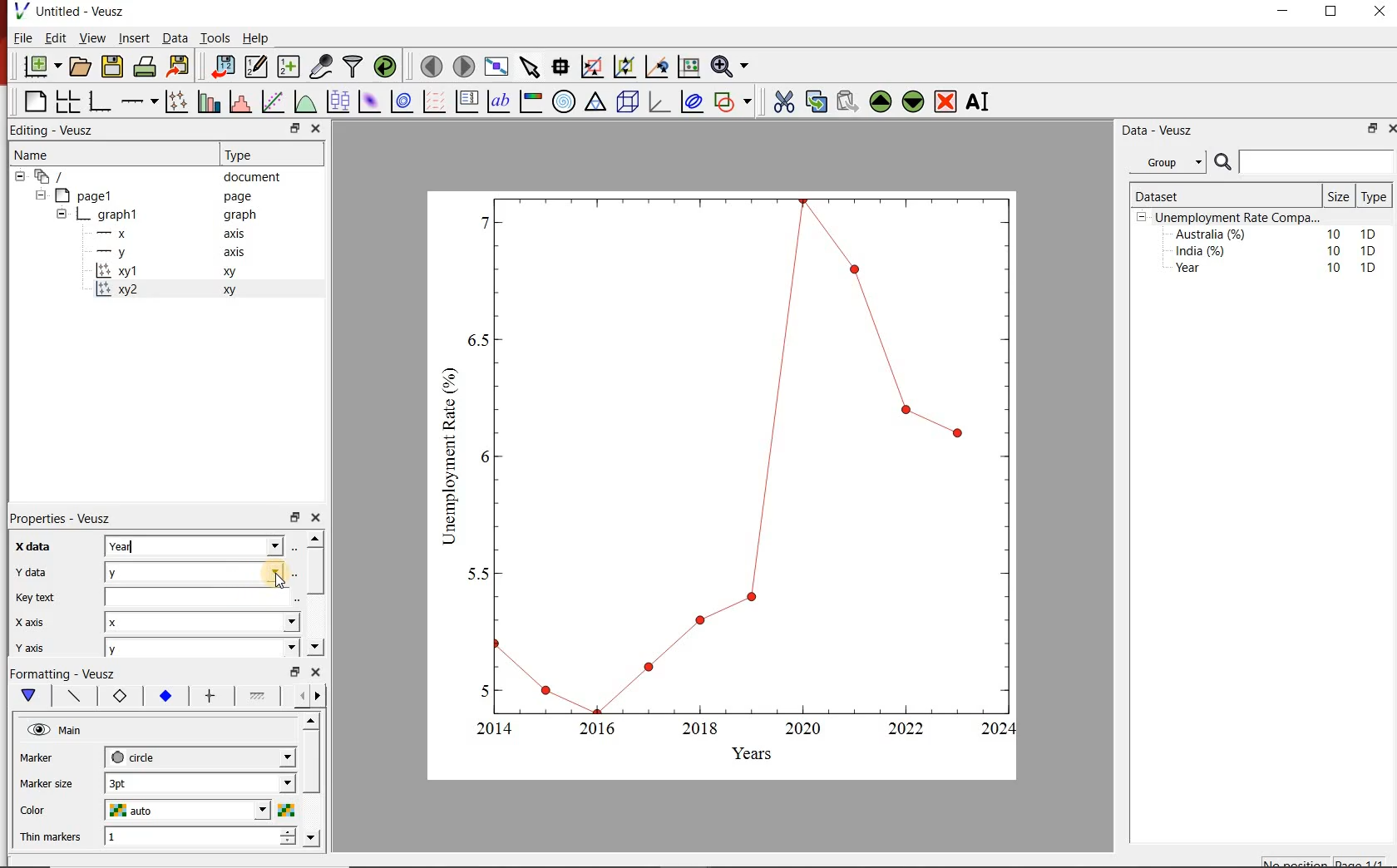 This screenshot has width=1397, height=868. Describe the element at coordinates (284, 582) in the screenshot. I see `cursor` at that location.